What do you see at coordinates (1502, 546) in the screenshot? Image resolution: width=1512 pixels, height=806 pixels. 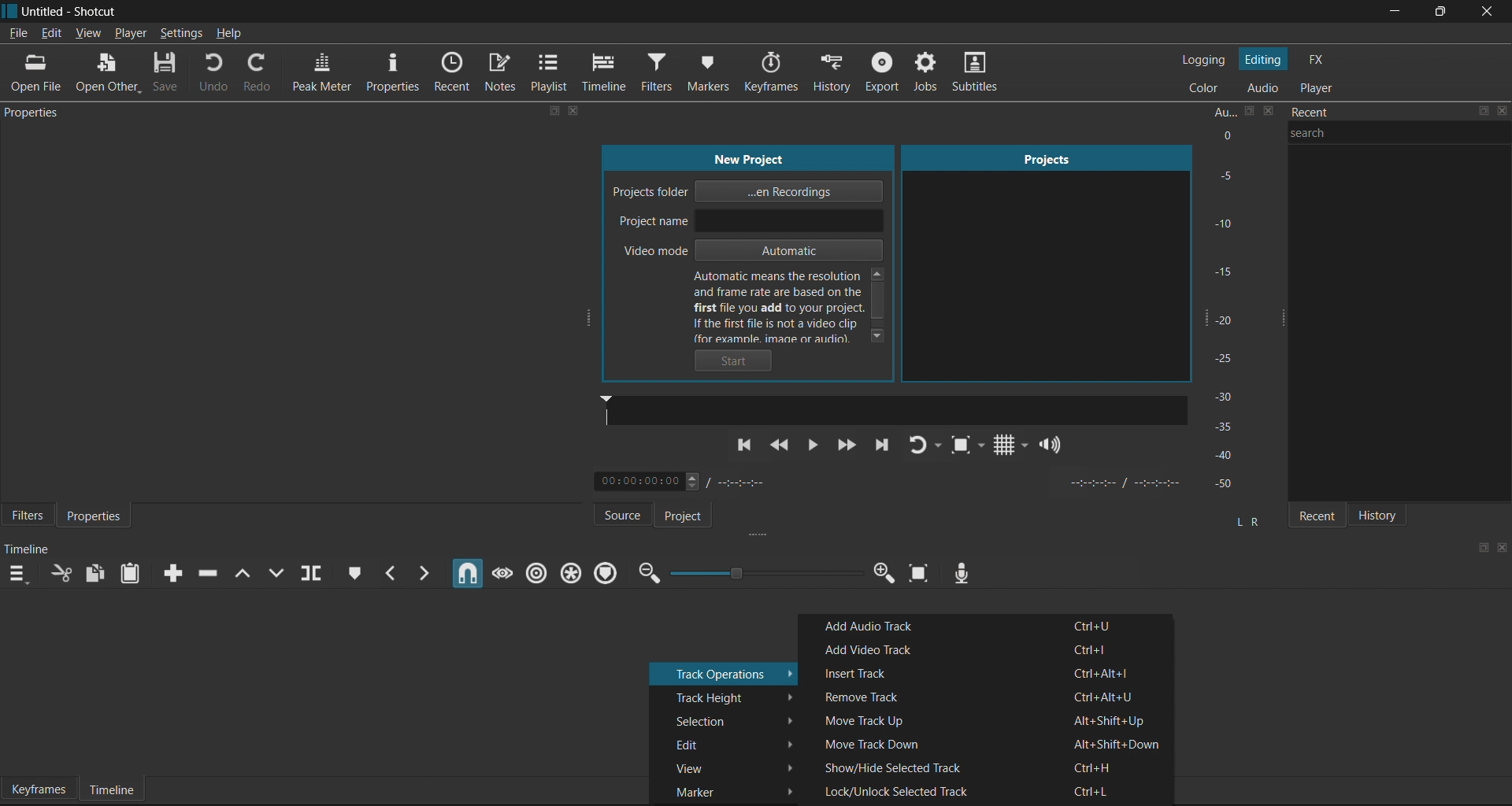 I see `close` at bounding box center [1502, 546].